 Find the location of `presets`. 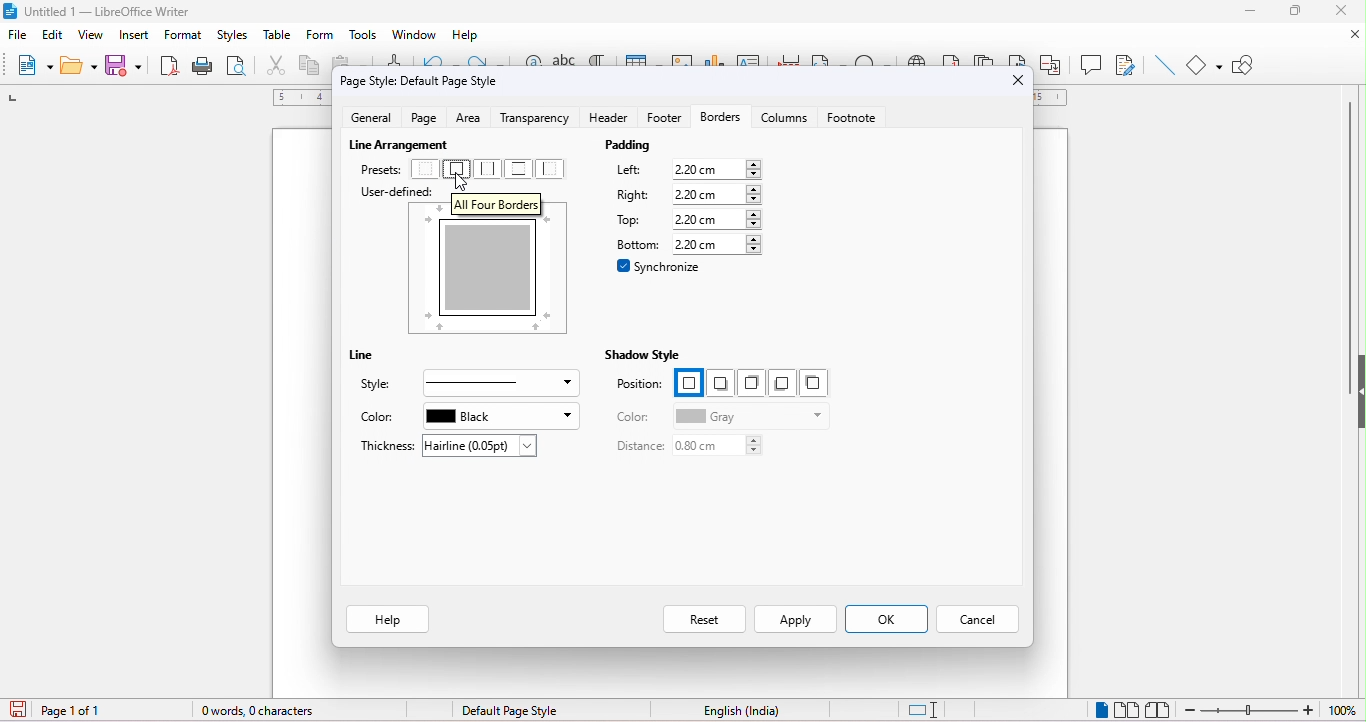

presets is located at coordinates (379, 169).